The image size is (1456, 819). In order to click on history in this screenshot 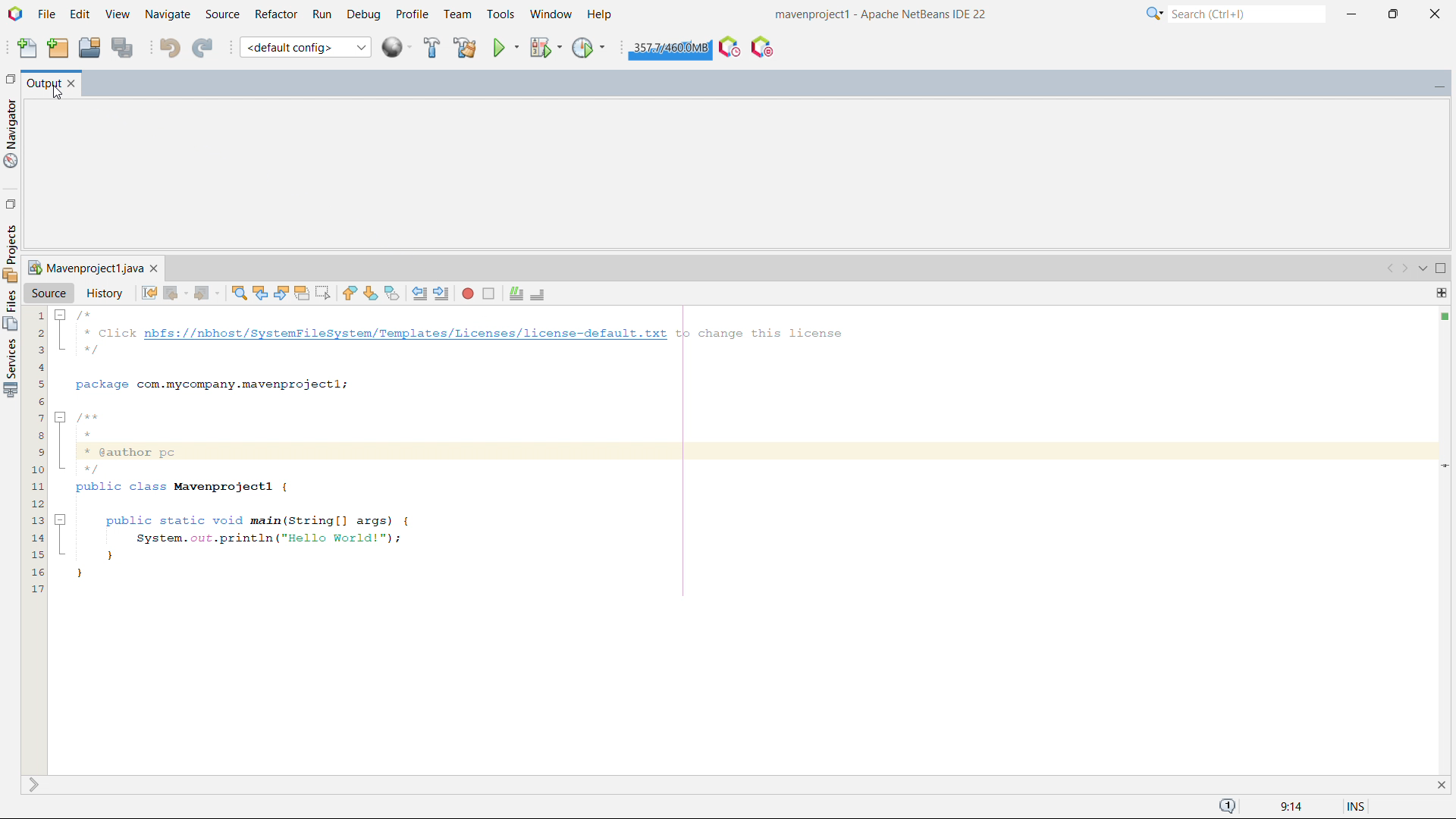, I will do `click(105, 293)`.